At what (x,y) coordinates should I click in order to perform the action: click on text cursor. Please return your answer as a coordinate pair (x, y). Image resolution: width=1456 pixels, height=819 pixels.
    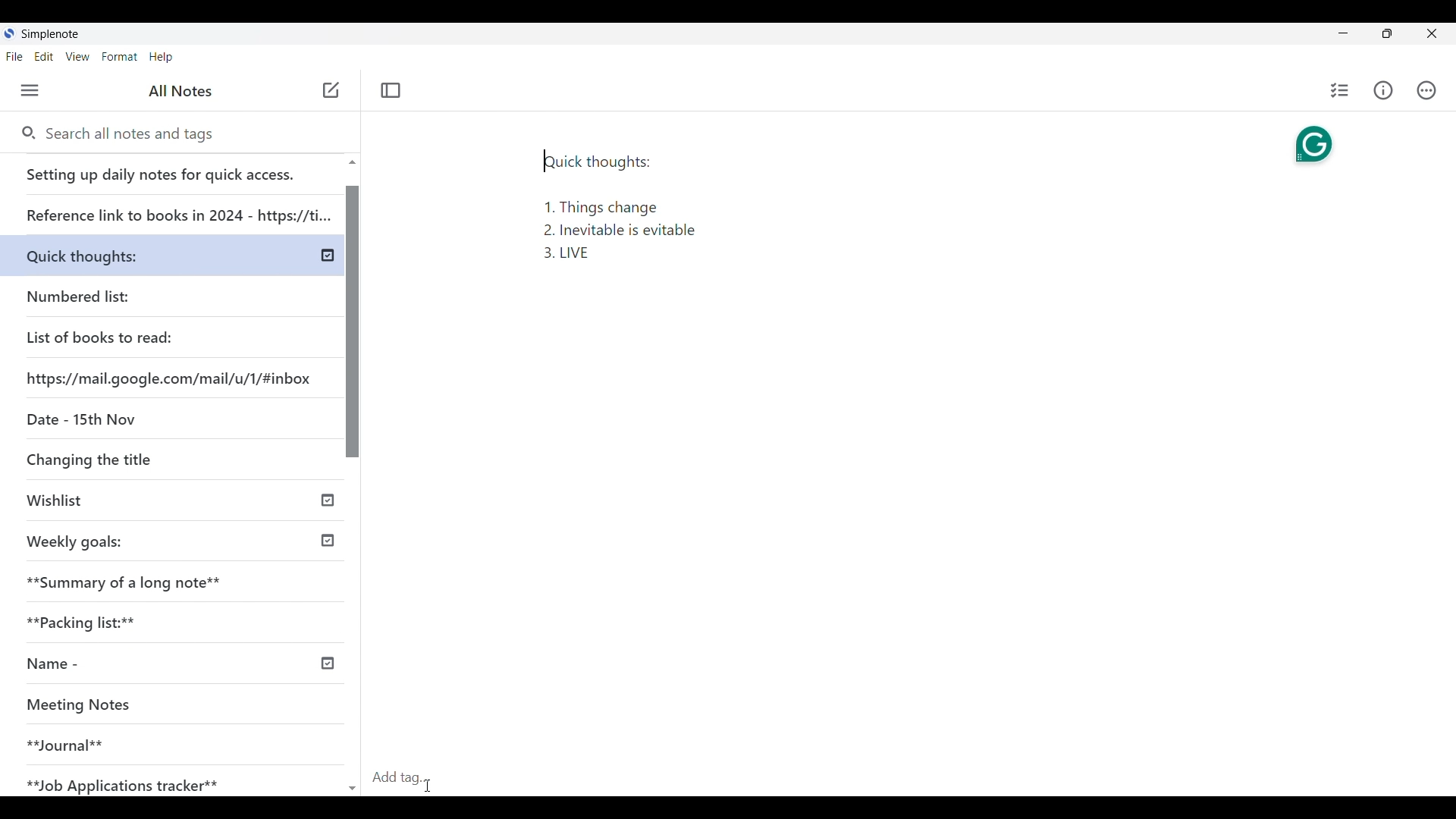
    Looking at the image, I should click on (544, 161).